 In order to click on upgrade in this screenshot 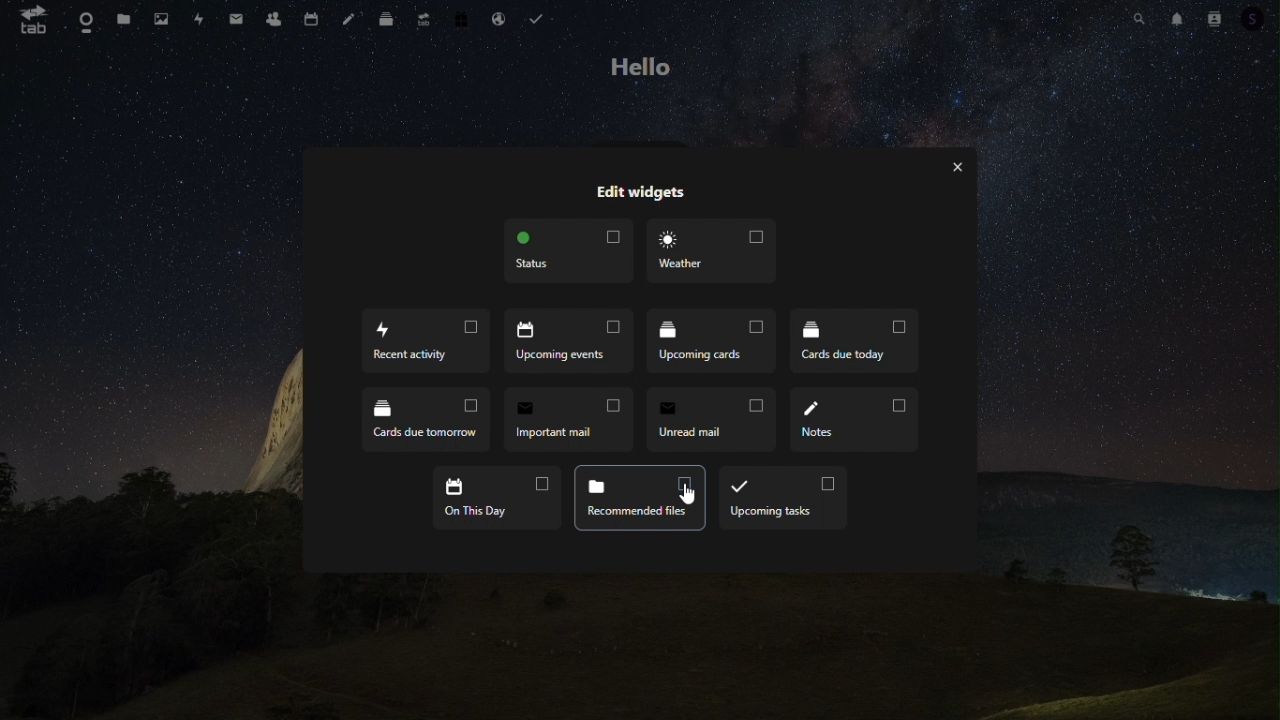, I will do `click(423, 21)`.